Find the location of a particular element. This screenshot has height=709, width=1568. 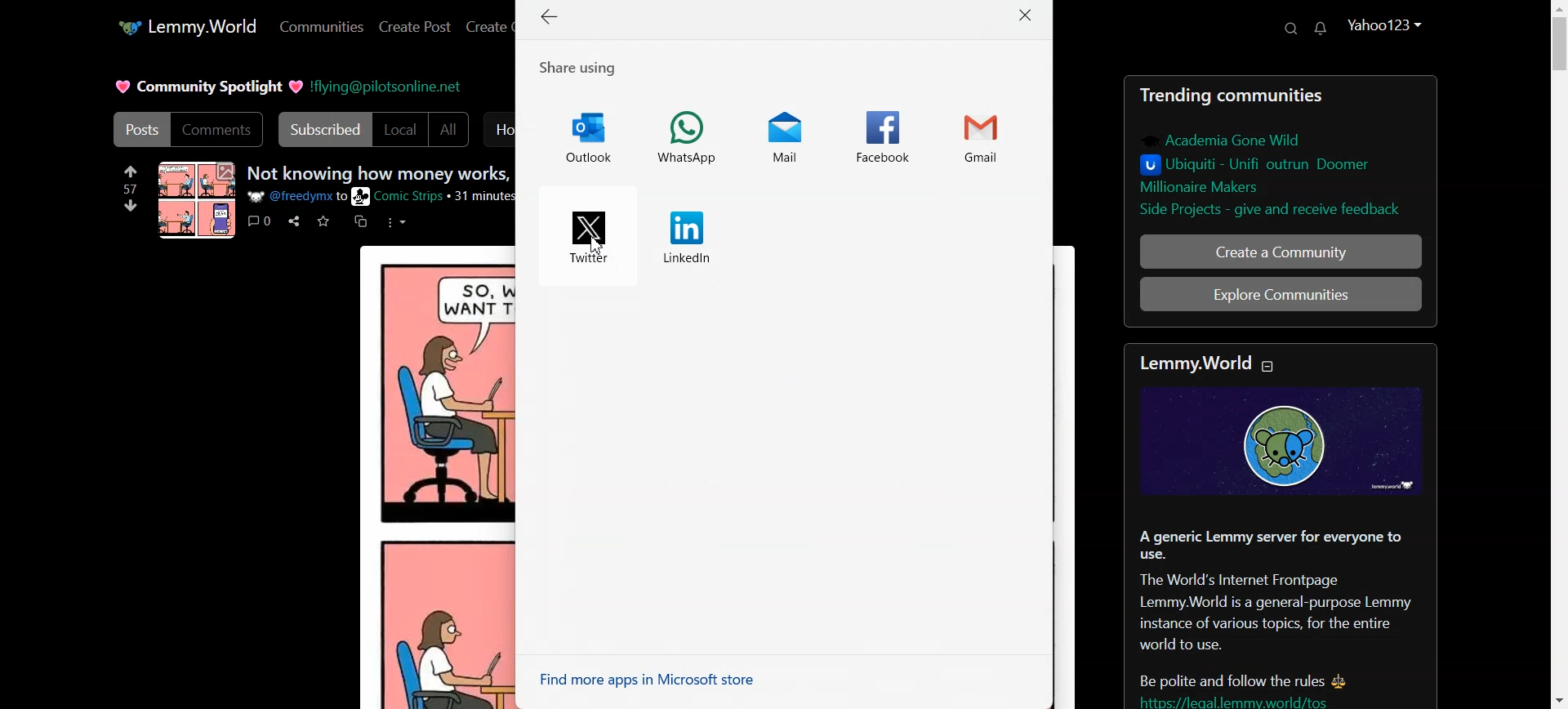

Text is located at coordinates (1281, 548).